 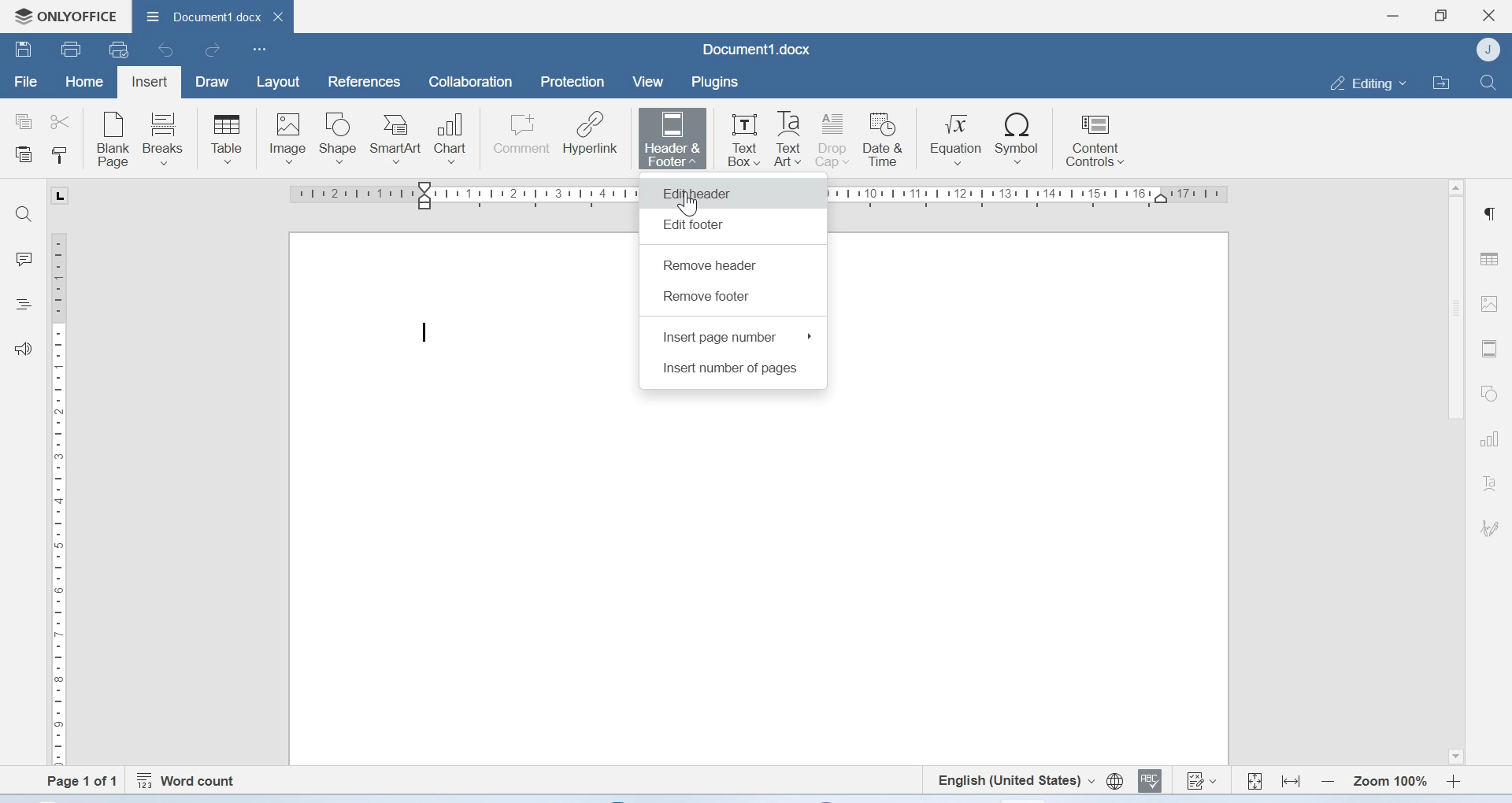 I want to click on Track changes, so click(x=1203, y=783).